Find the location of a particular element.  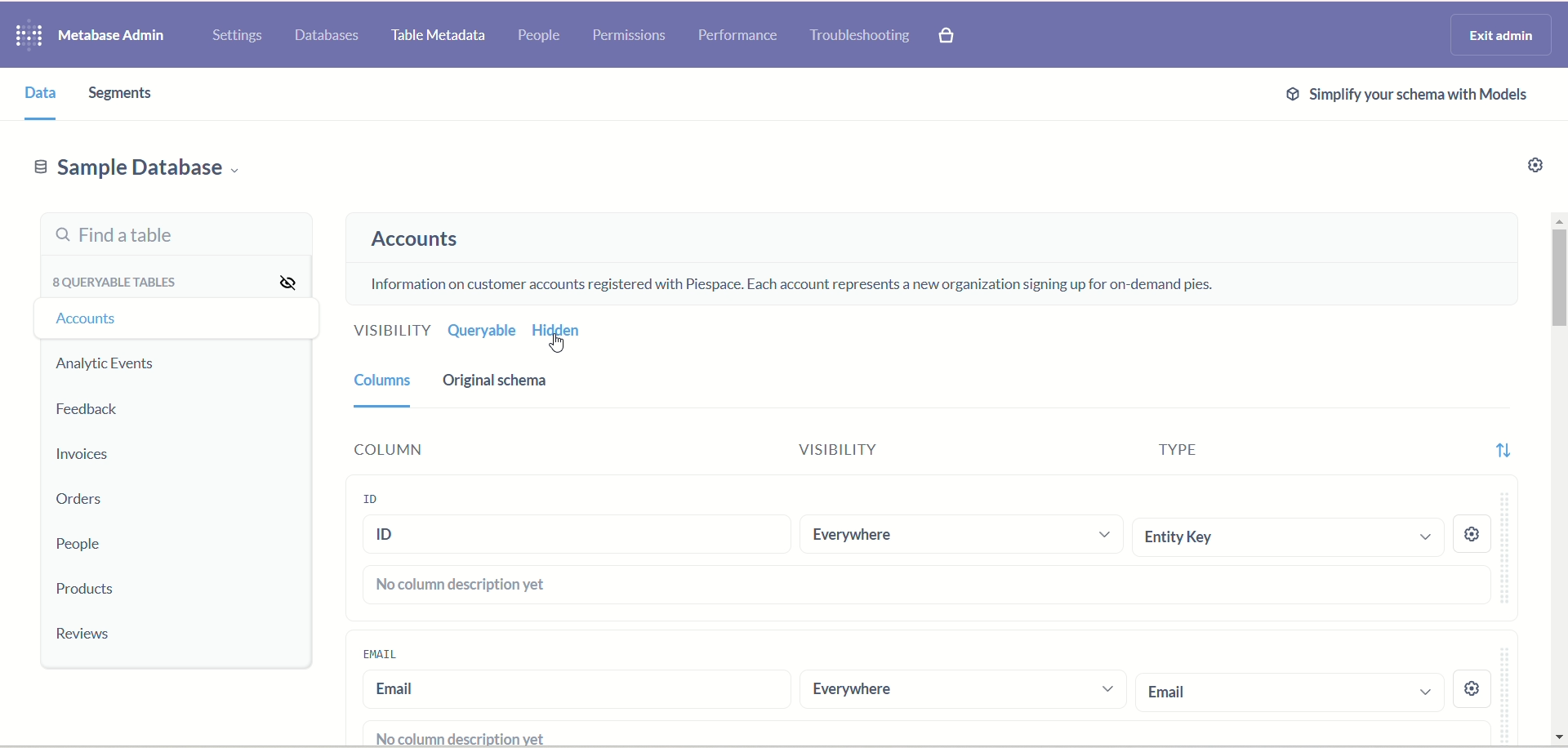

account is located at coordinates (100, 319).